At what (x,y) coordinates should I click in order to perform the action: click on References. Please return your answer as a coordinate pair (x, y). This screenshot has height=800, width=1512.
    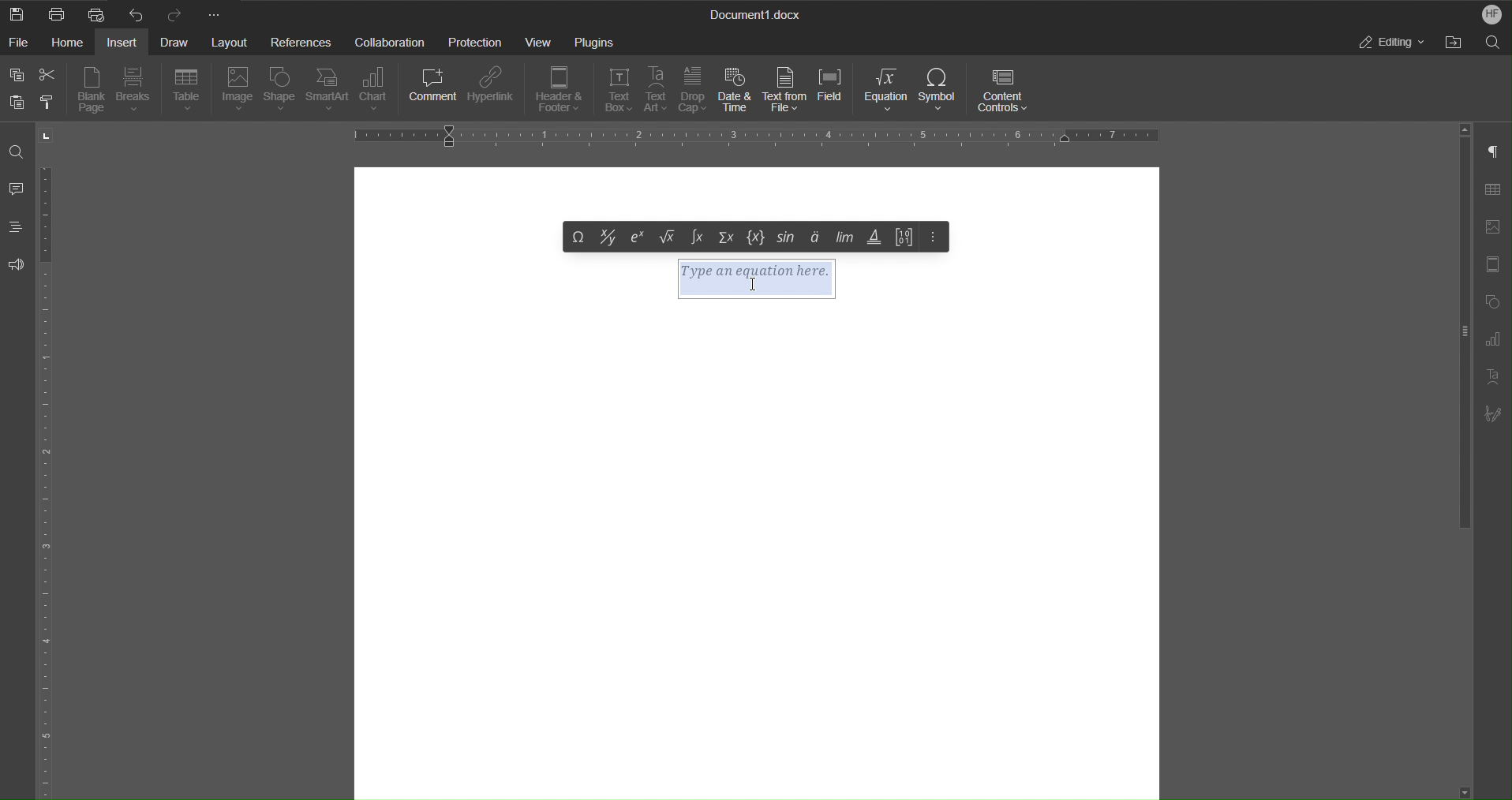
    Looking at the image, I should click on (302, 41).